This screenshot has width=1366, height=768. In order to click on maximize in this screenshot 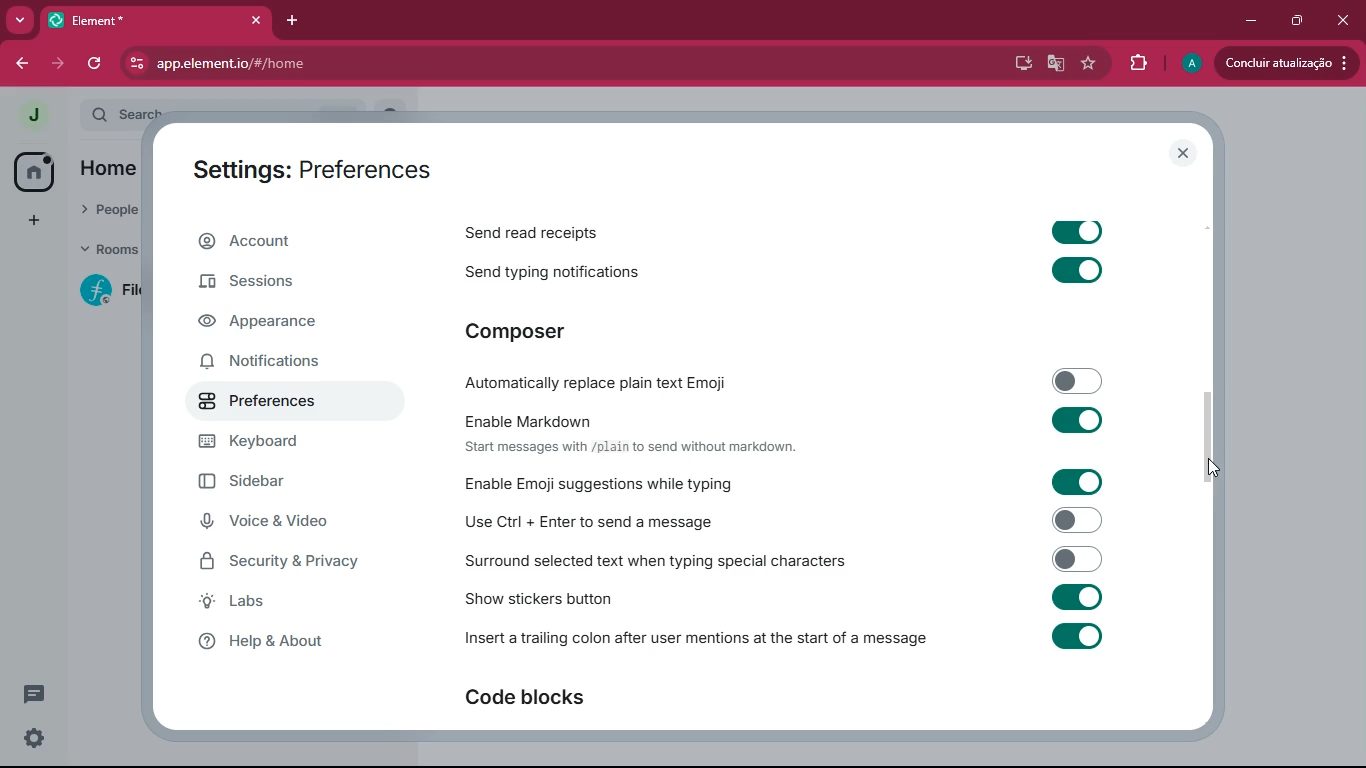, I will do `click(1299, 22)`.